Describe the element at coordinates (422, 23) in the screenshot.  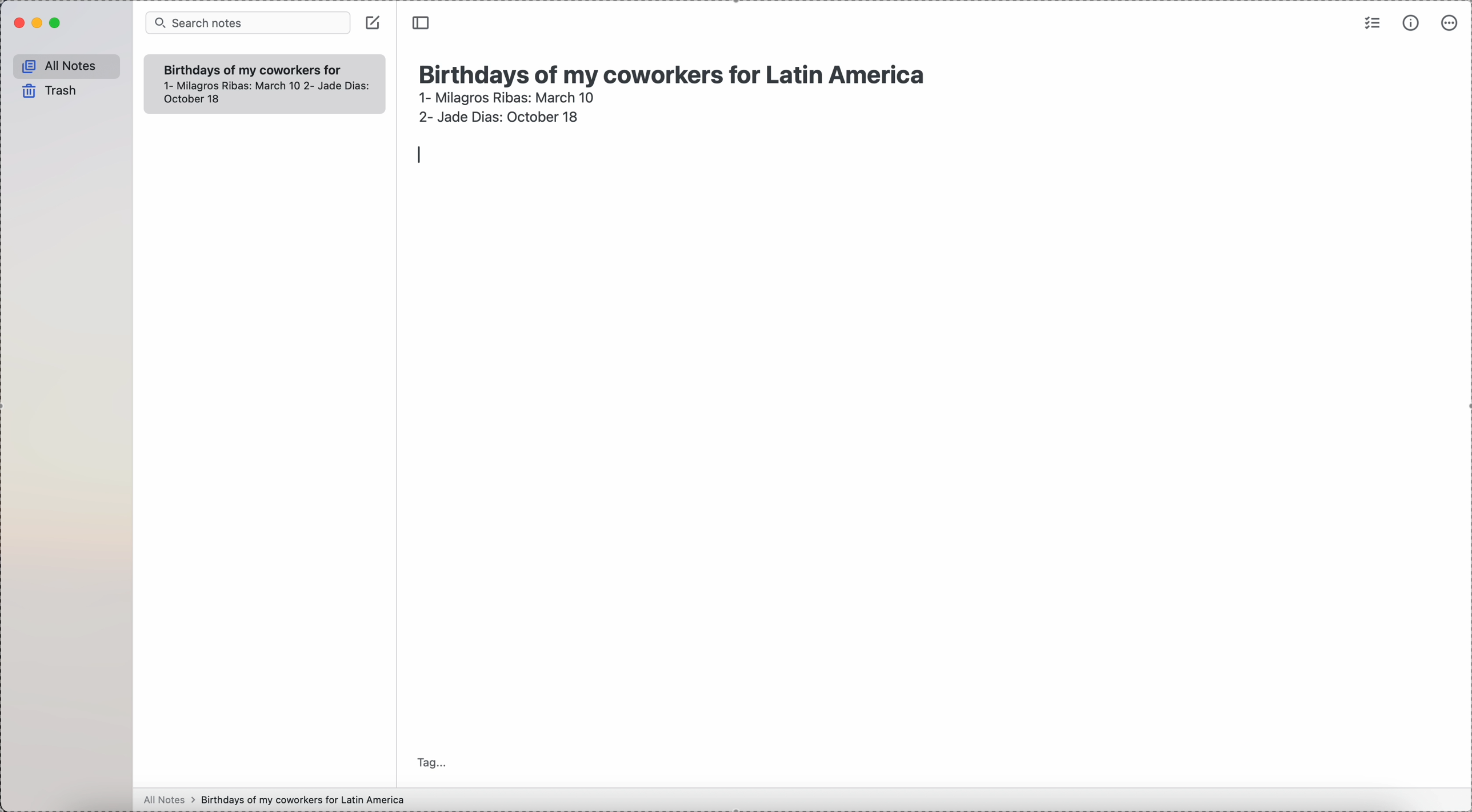
I see `toggle side bar` at that location.